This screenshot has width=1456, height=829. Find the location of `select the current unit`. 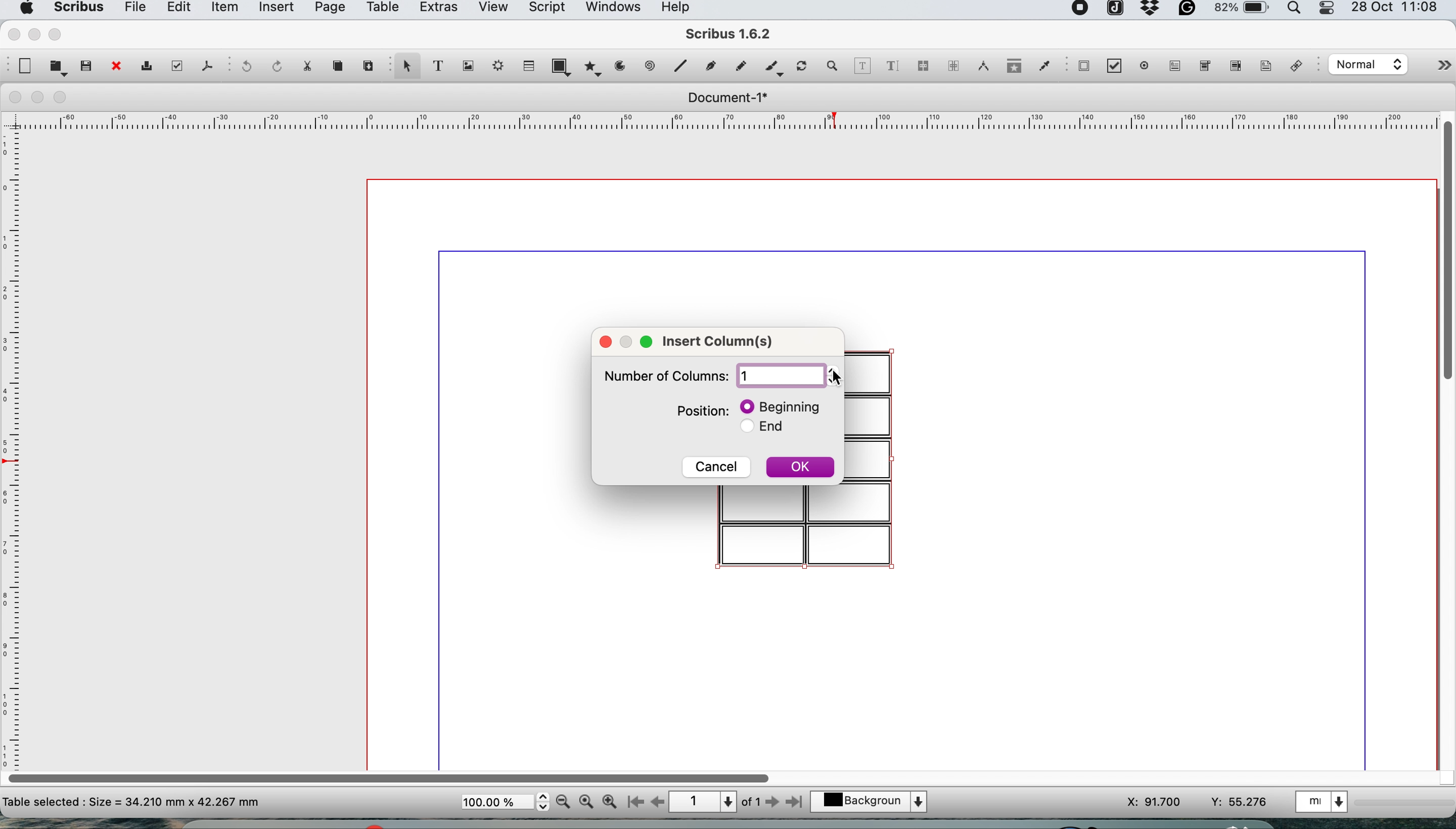

select the current unit is located at coordinates (1324, 801).